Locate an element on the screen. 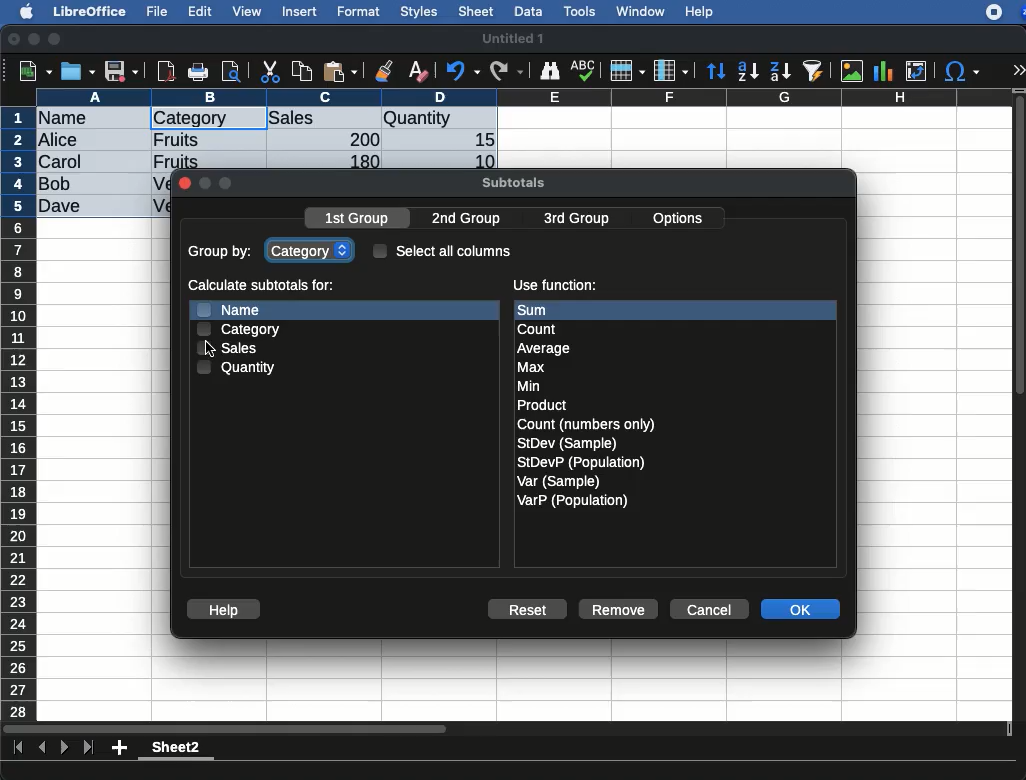 The height and width of the screenshot is (780, 1026). 2nd group is located at coordinates (471, 219).